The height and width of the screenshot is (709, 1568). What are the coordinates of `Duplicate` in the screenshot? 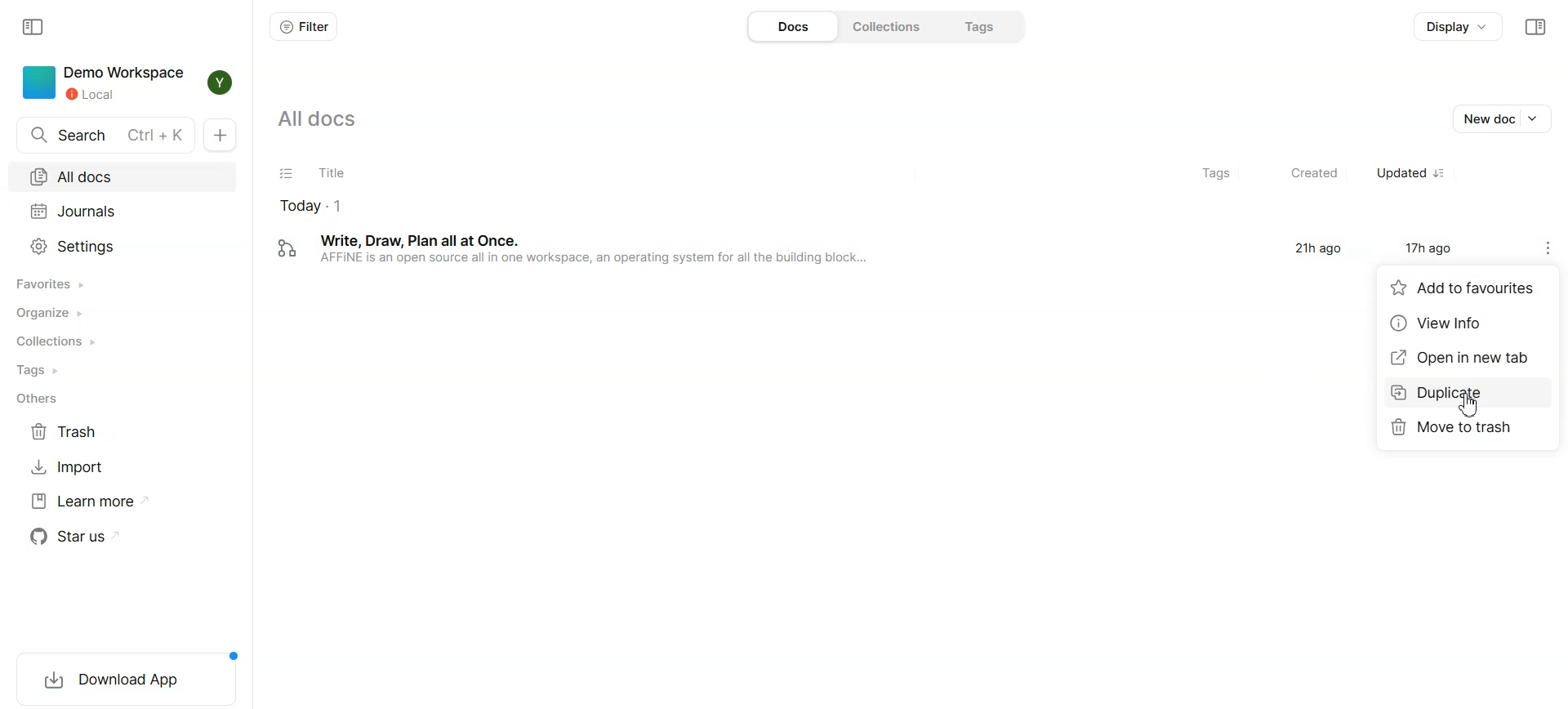 It's located at (1468, 393).